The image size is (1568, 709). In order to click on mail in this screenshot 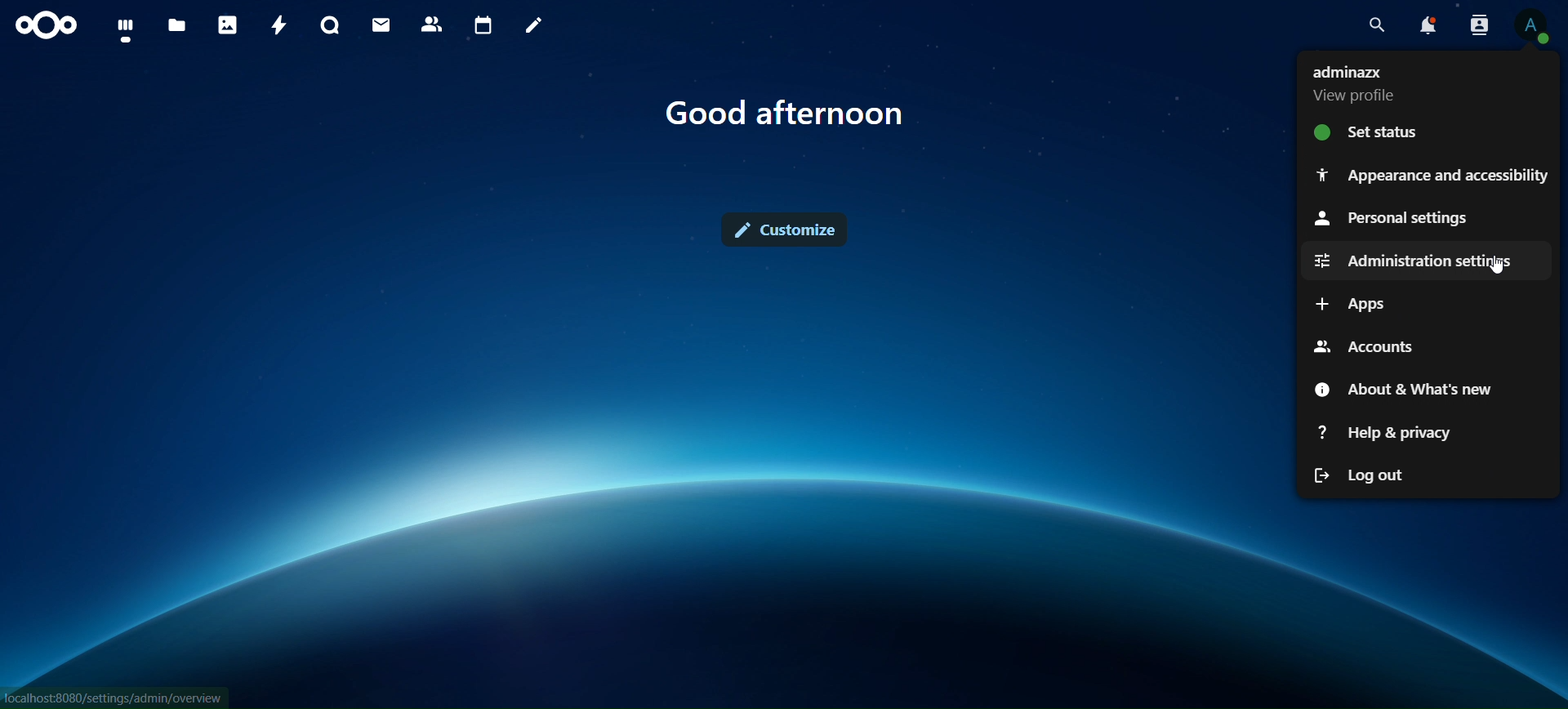, I will do `click(383, 25)`.